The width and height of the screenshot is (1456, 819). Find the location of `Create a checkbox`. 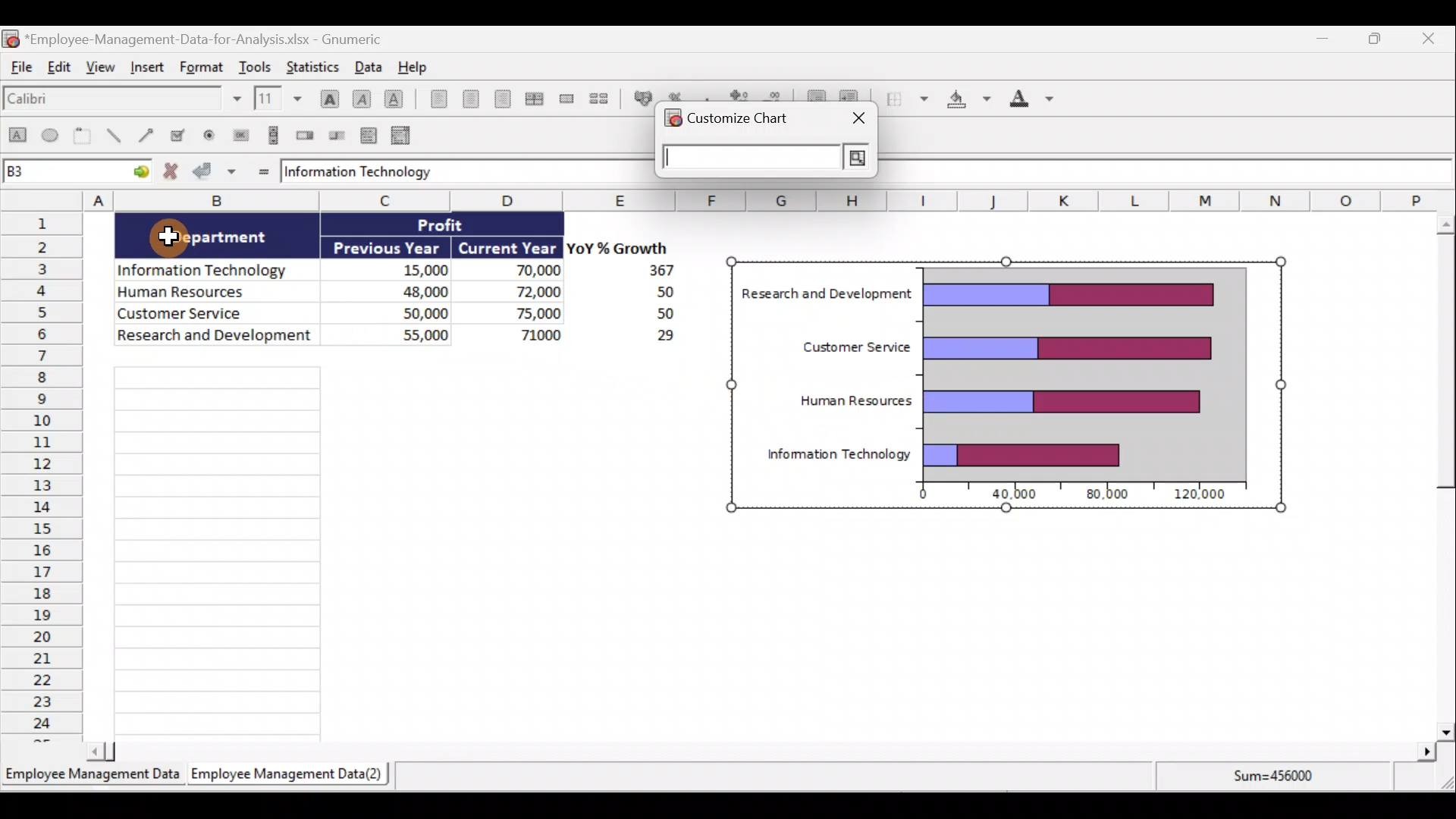

Create a checkbox is located at coordinates (177, 134).